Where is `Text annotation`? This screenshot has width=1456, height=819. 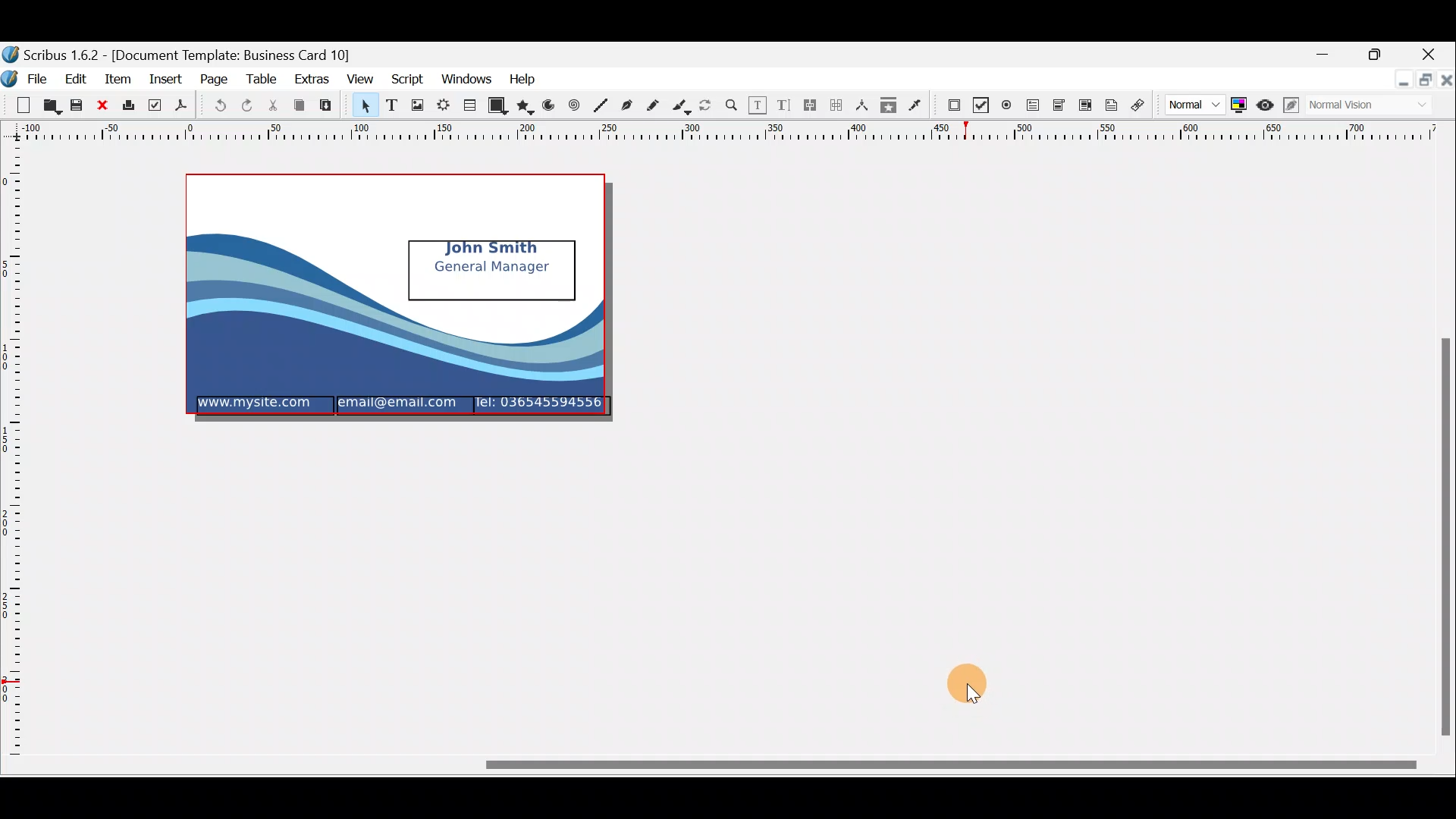
Text annotation is located at coordinates (1110, 106).